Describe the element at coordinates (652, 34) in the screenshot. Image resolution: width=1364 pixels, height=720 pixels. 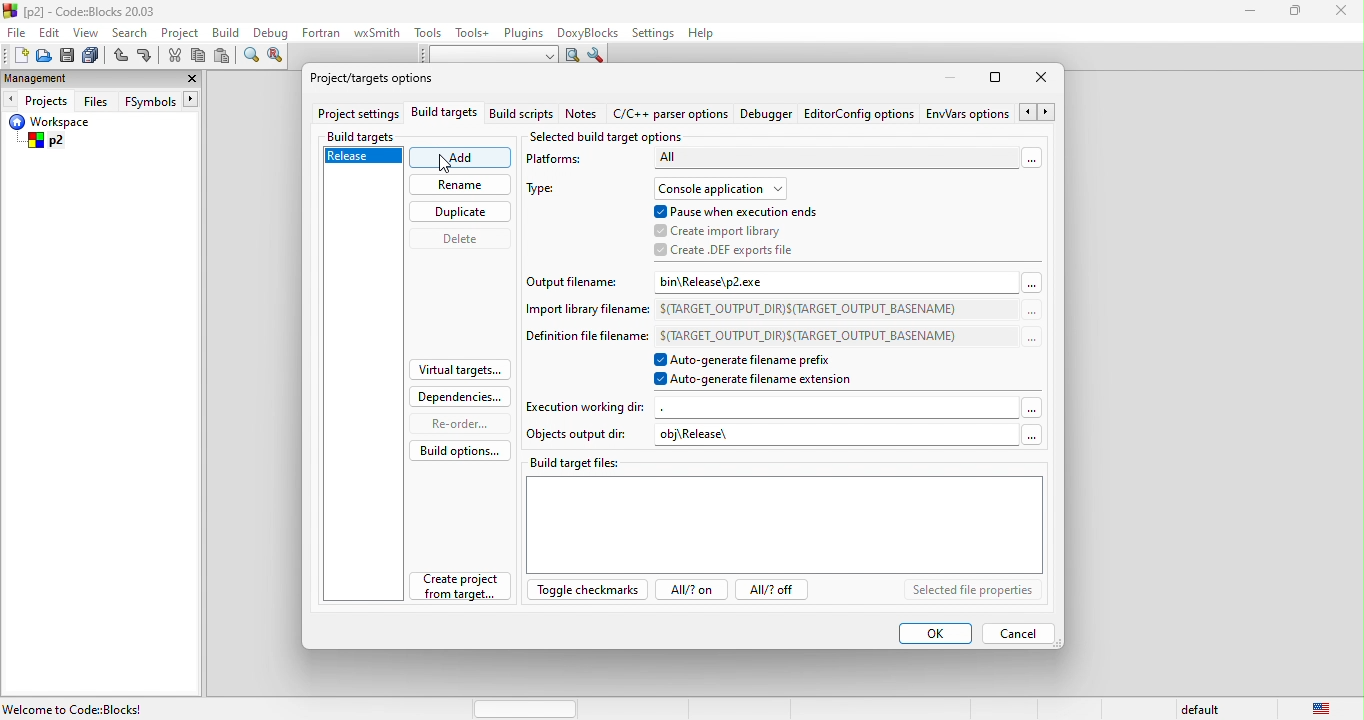
I see `settings` at that location.